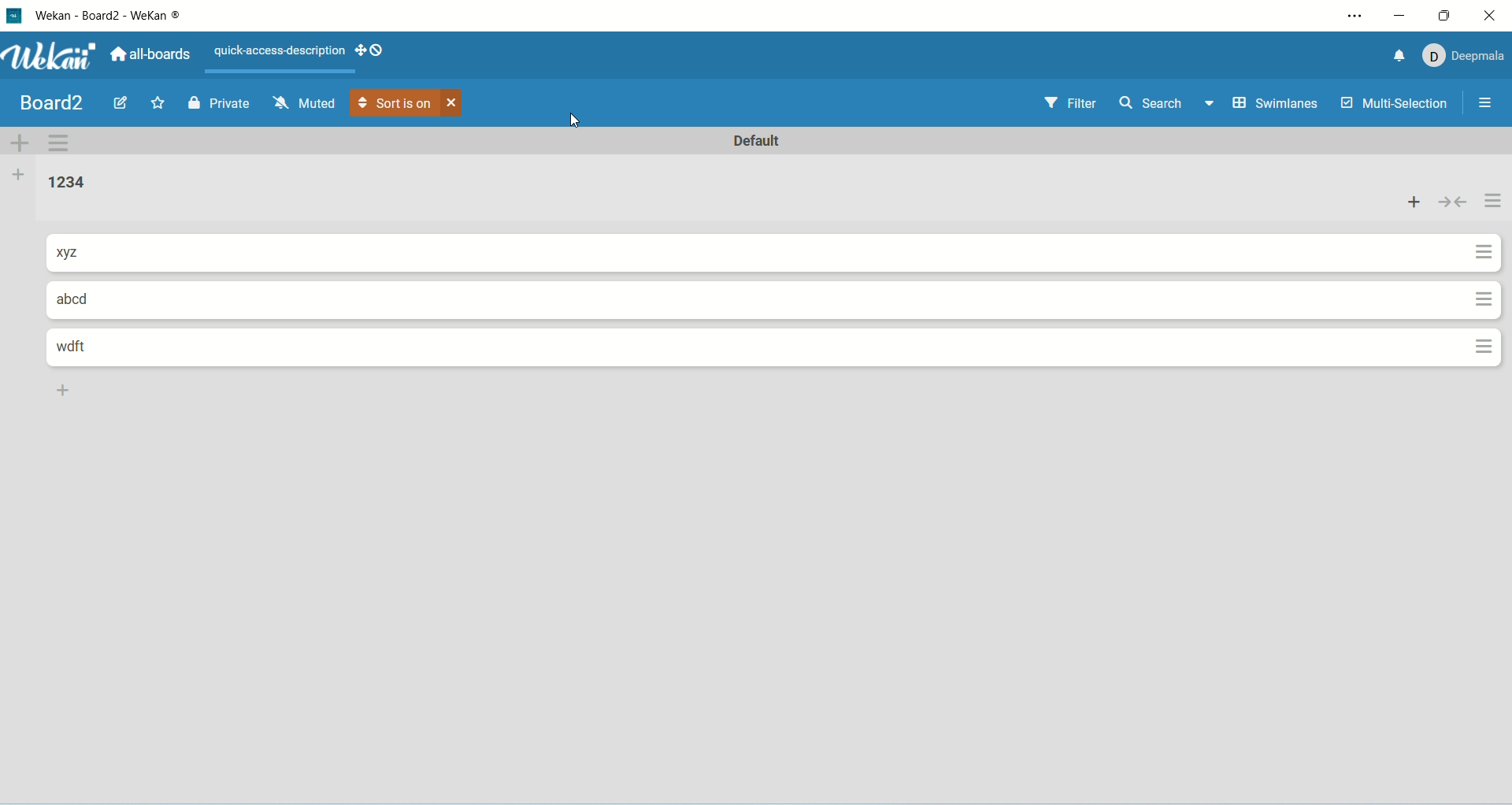 This screenshot has height=805, width=1512. What do you see at coordinates (1076, 102) in the screenshot?
I see `filter` at bounding box center [1076, 102].